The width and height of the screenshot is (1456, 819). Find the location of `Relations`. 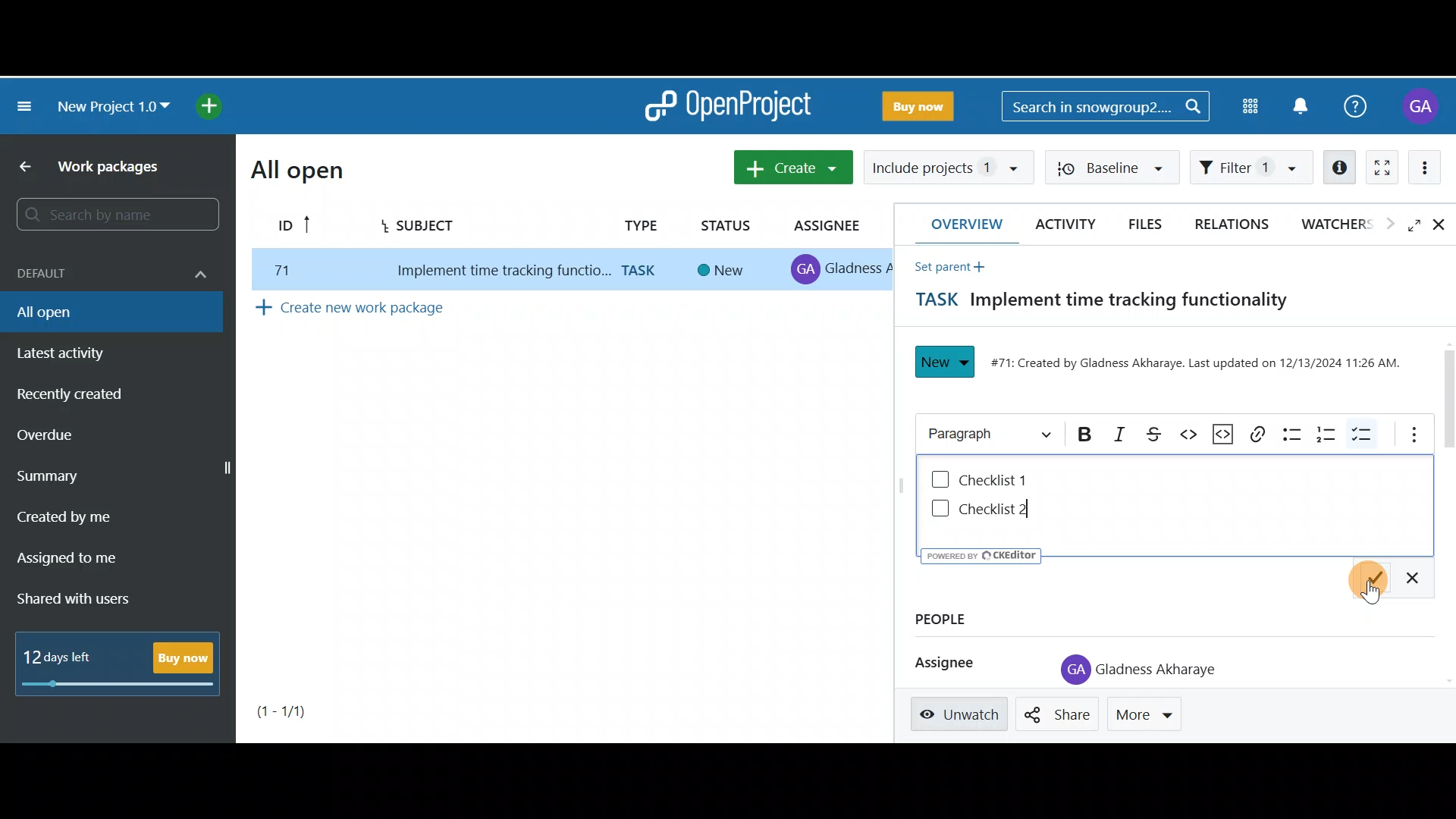

Relations is located at coordinates (1233, 223).